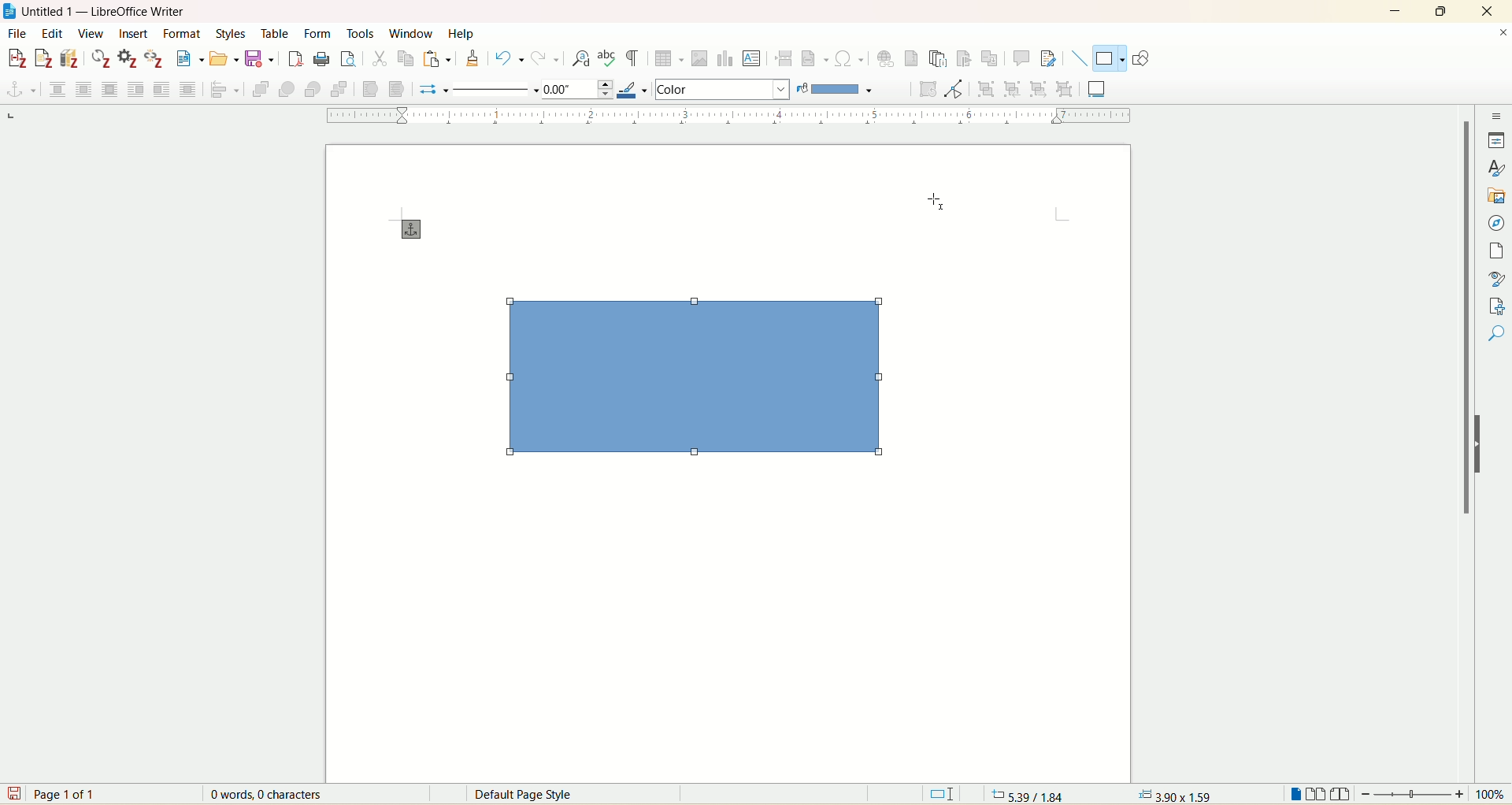  What do you see at coordinates (1107, 59) in the screenshot?
I see `basic shapes` at bounding box center [1107, 59].